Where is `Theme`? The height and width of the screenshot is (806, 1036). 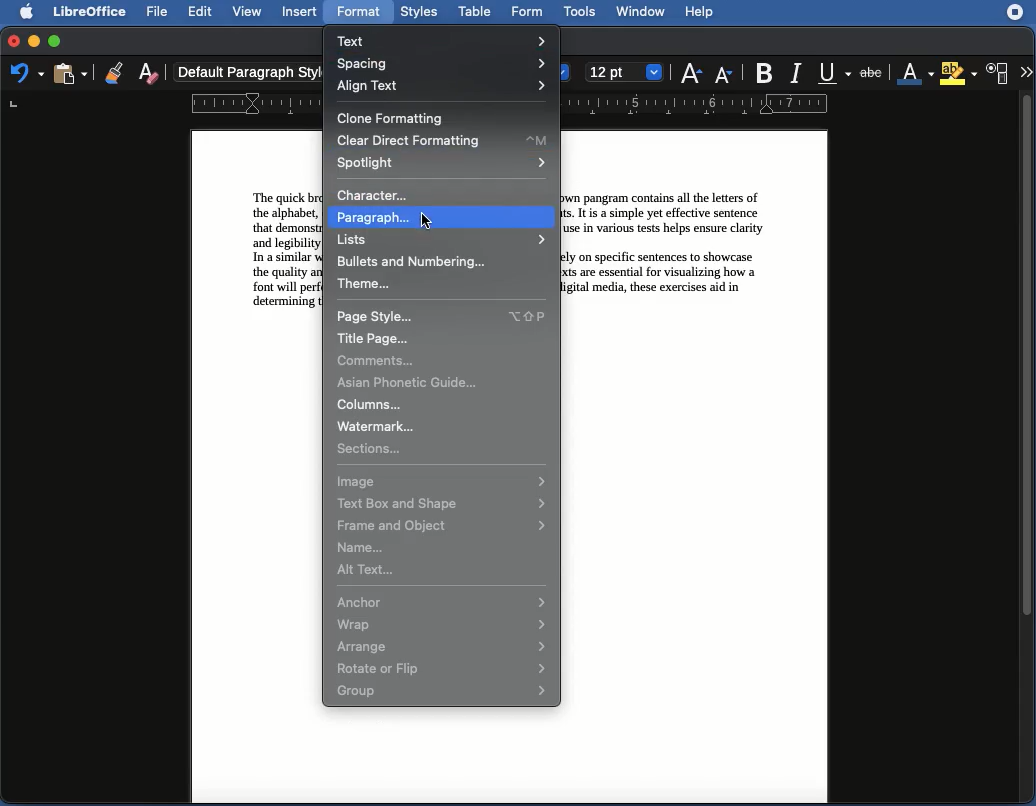
Theme is located at coordinates (371, 283).